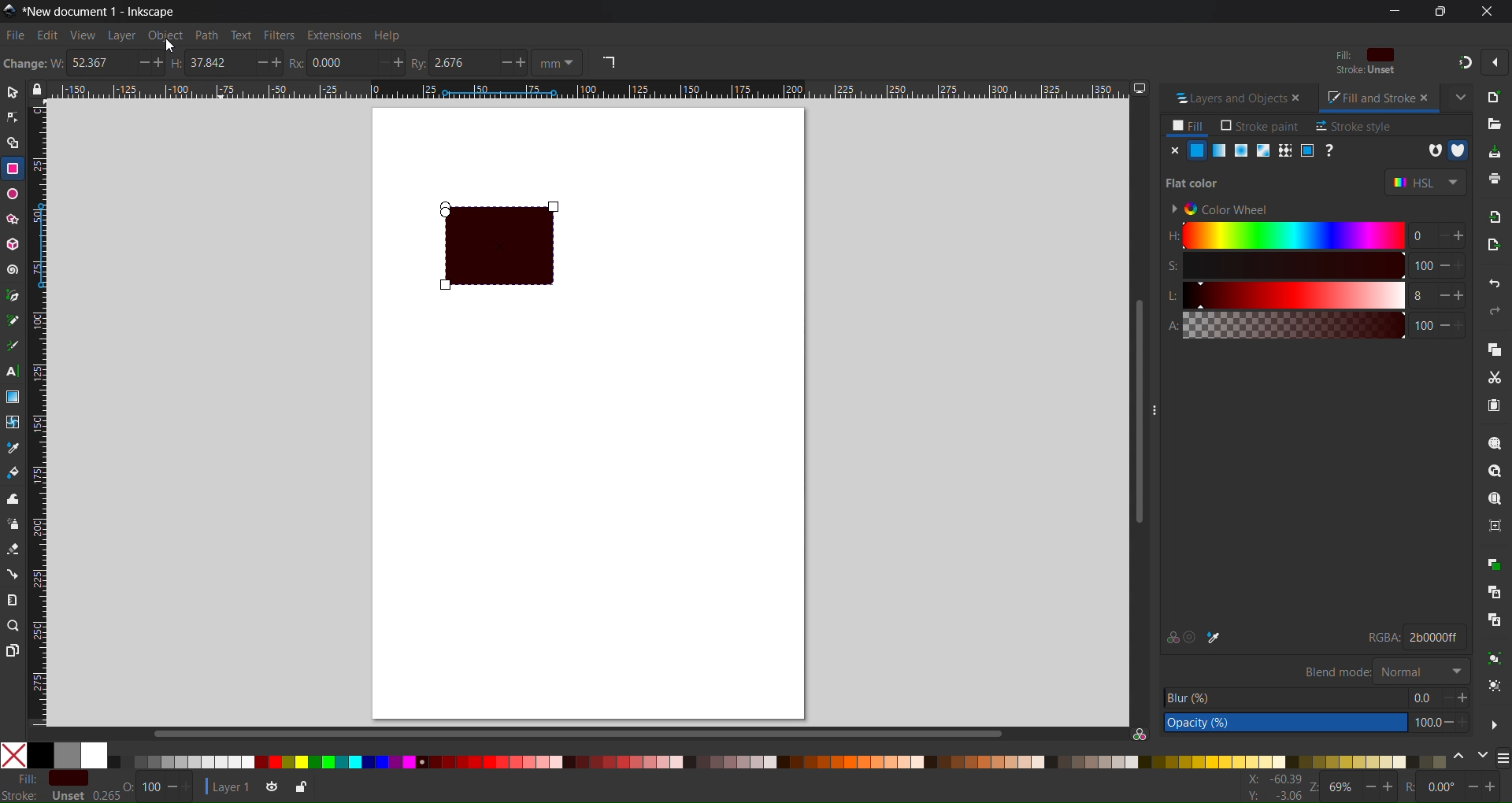 The width and height of the screenshot is (1512, 803). What do you see at coordinates (1220, 150) in the screenshot?
I see `Linear gradient` at bounding box center [1220, 150].